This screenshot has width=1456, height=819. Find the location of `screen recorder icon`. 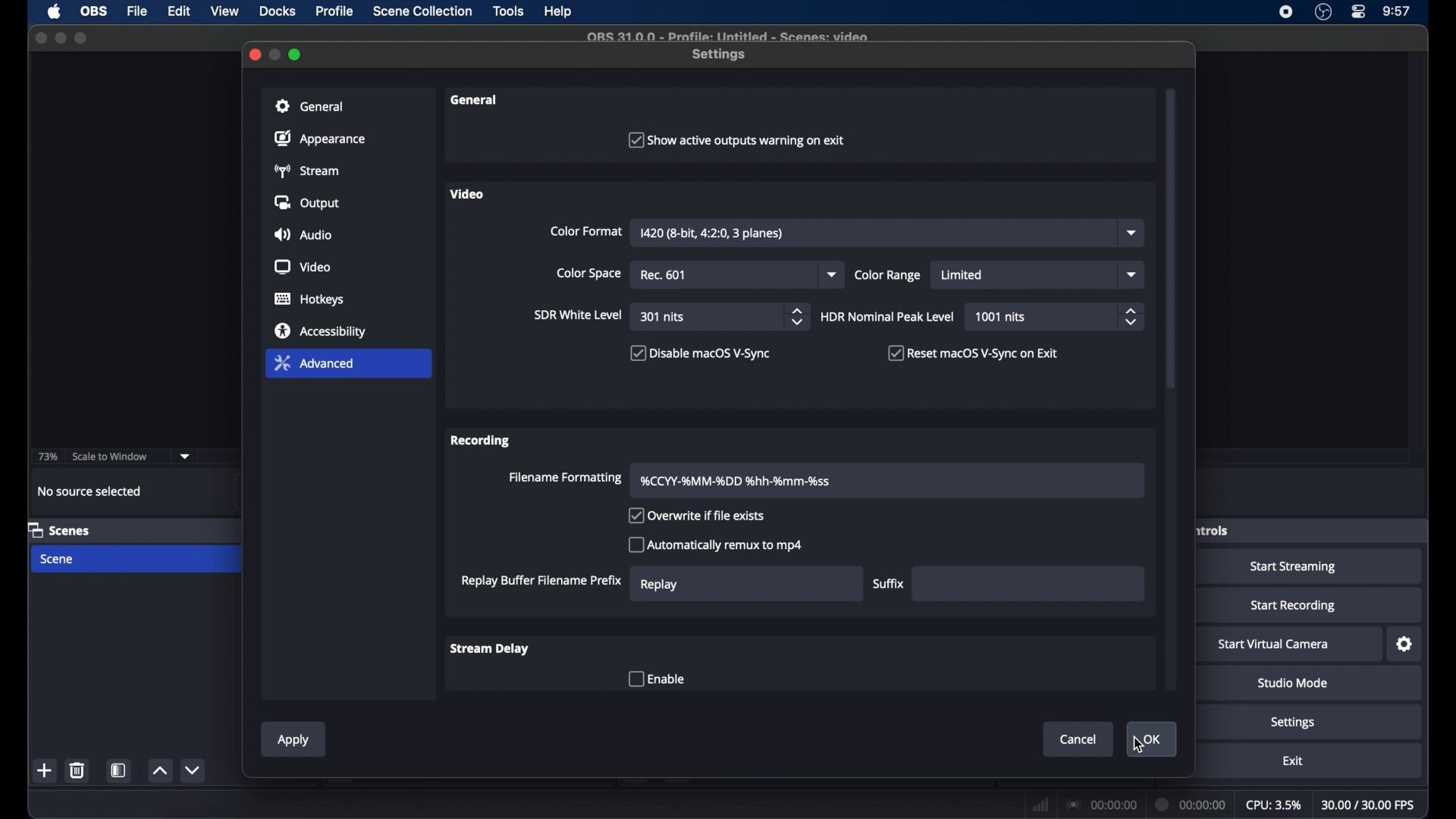

screen recorder icon is located at coordinates (1287, 12).